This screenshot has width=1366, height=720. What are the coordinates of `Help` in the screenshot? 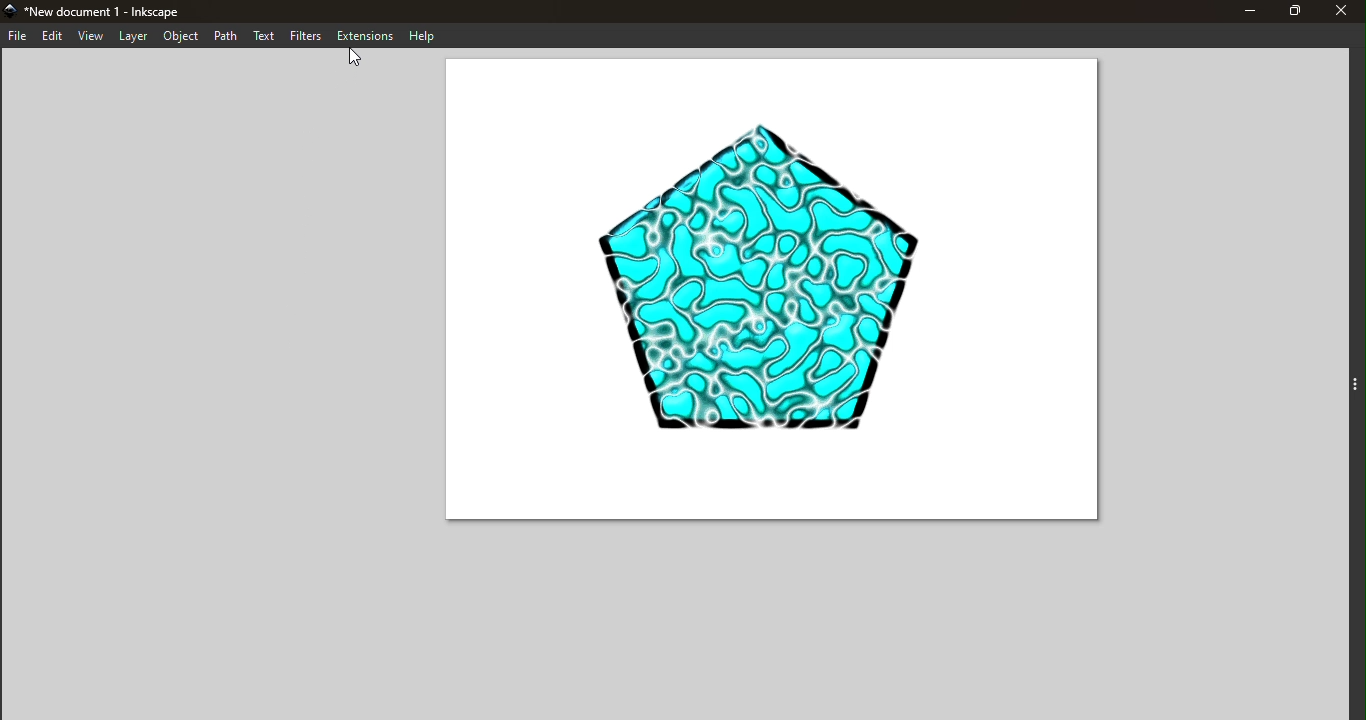 It's located at (426, 36).